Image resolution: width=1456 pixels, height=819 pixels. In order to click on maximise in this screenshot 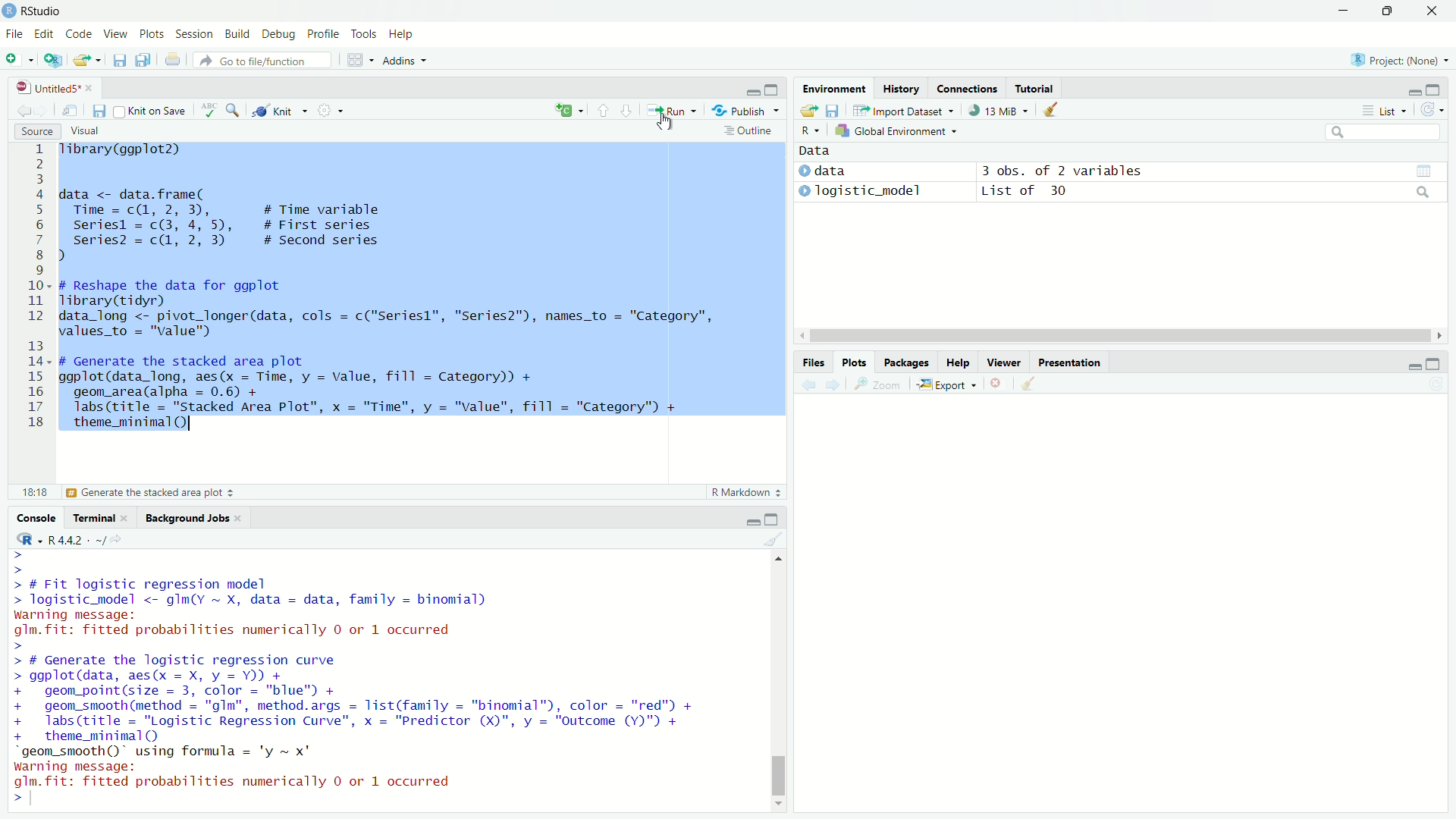, I will do `click(1434, 361)`.